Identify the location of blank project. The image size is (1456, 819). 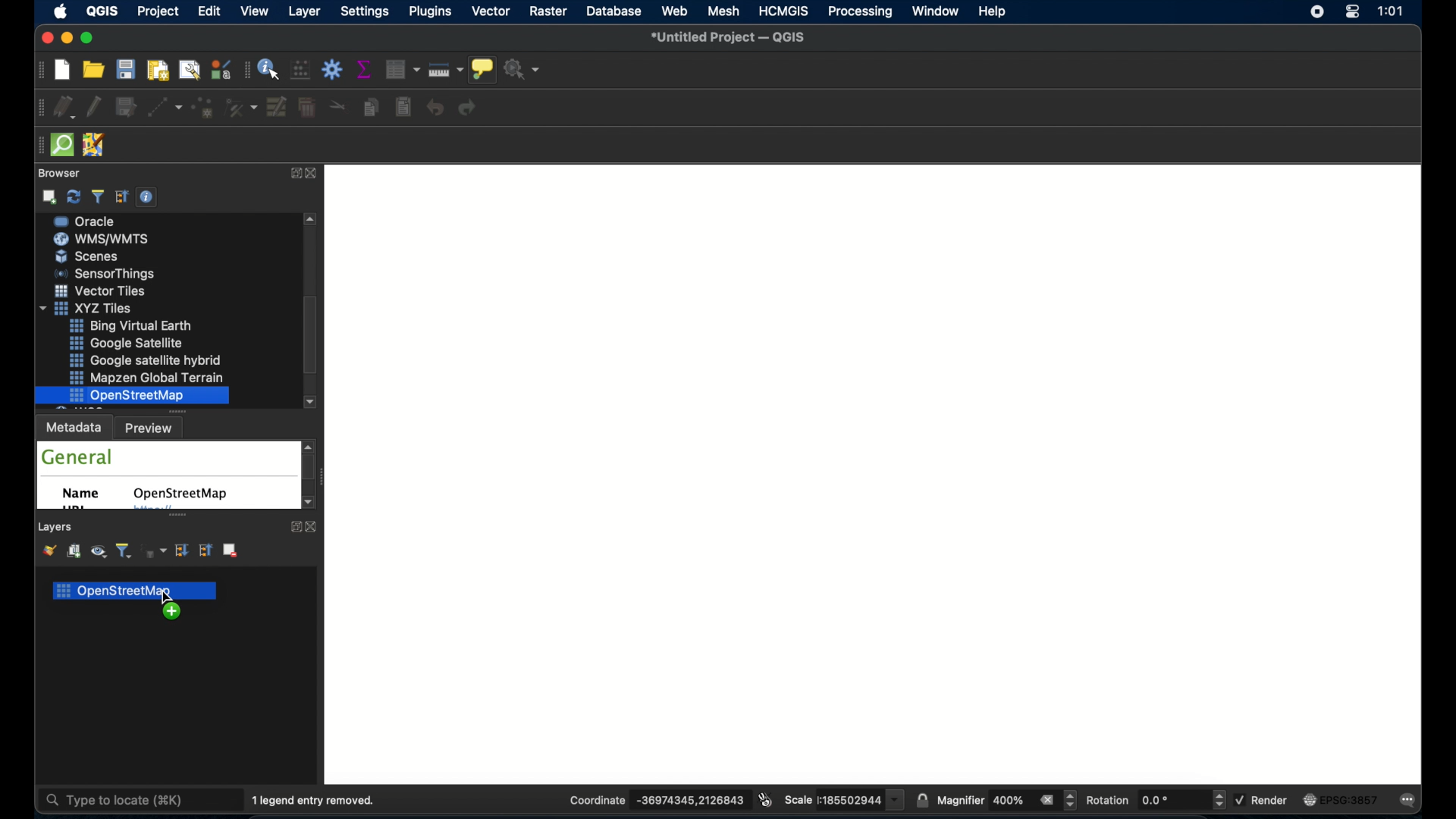
(879, 472).